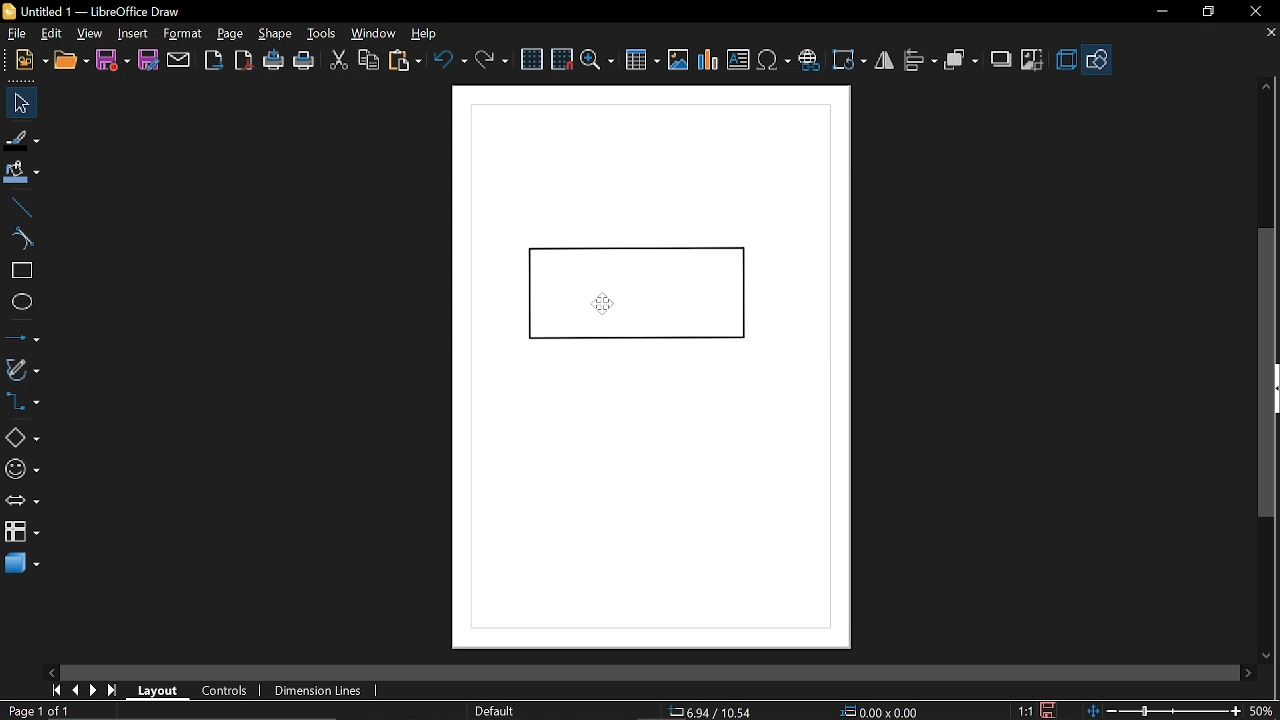 The width and height of the screenshot is (1280, 720). I want to click on cut, so click(339, 62).